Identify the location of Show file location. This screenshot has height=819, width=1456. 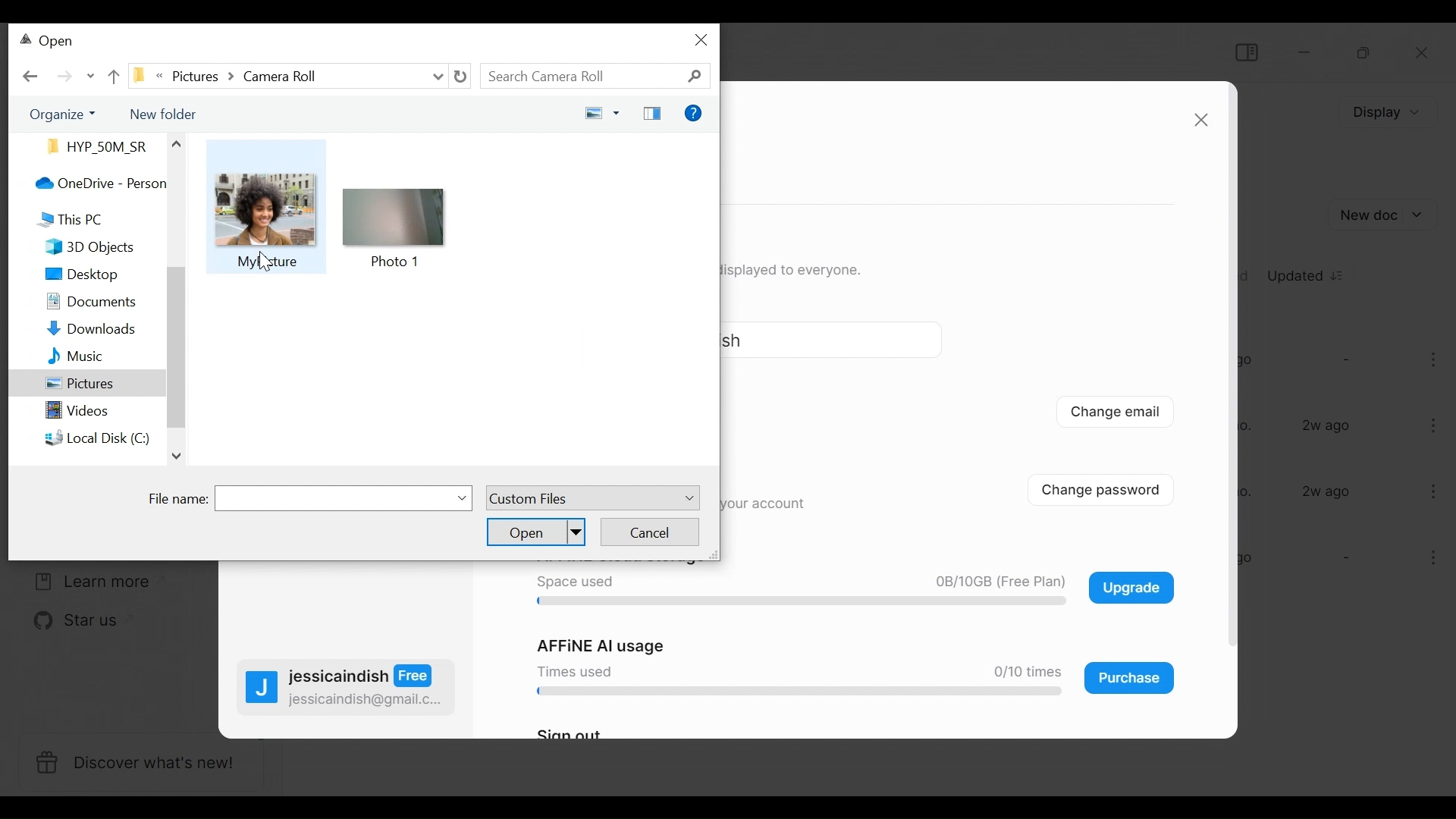
(285, 74).